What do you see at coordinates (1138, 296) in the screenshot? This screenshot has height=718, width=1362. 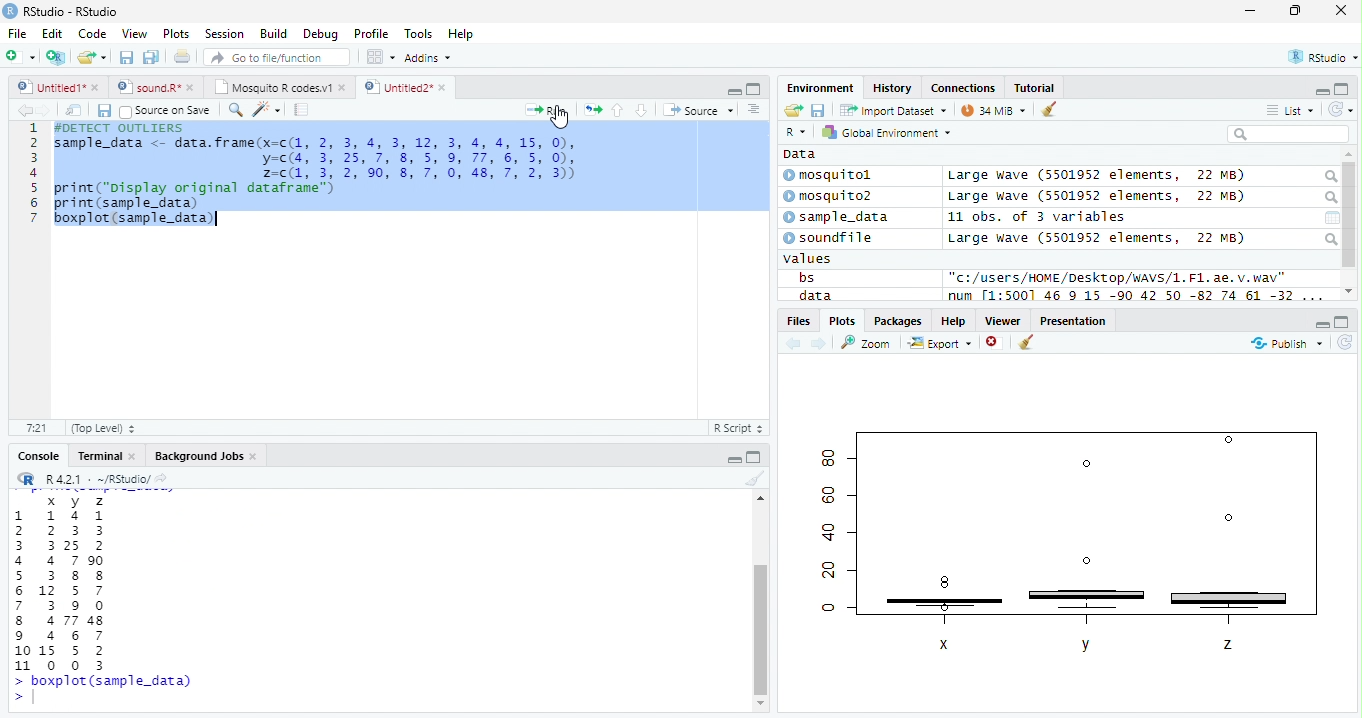 I see `num (1:5001 46 9 15 -90 42 50 -82 74 61 -32 ...` at bounding box center [1138, 296].